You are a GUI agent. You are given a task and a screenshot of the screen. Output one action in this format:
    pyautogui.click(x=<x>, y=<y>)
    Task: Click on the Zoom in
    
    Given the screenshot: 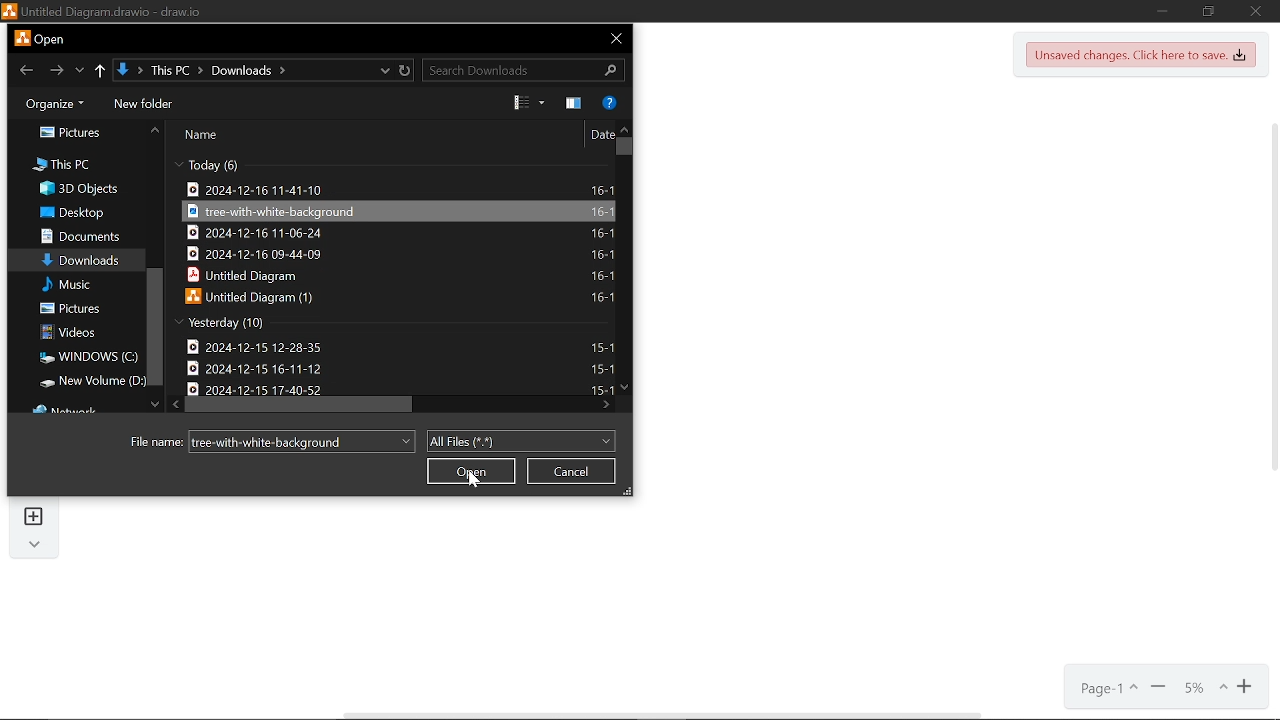 What is the action you would take?
    pyautogui.click(x=1246, y=689)
    